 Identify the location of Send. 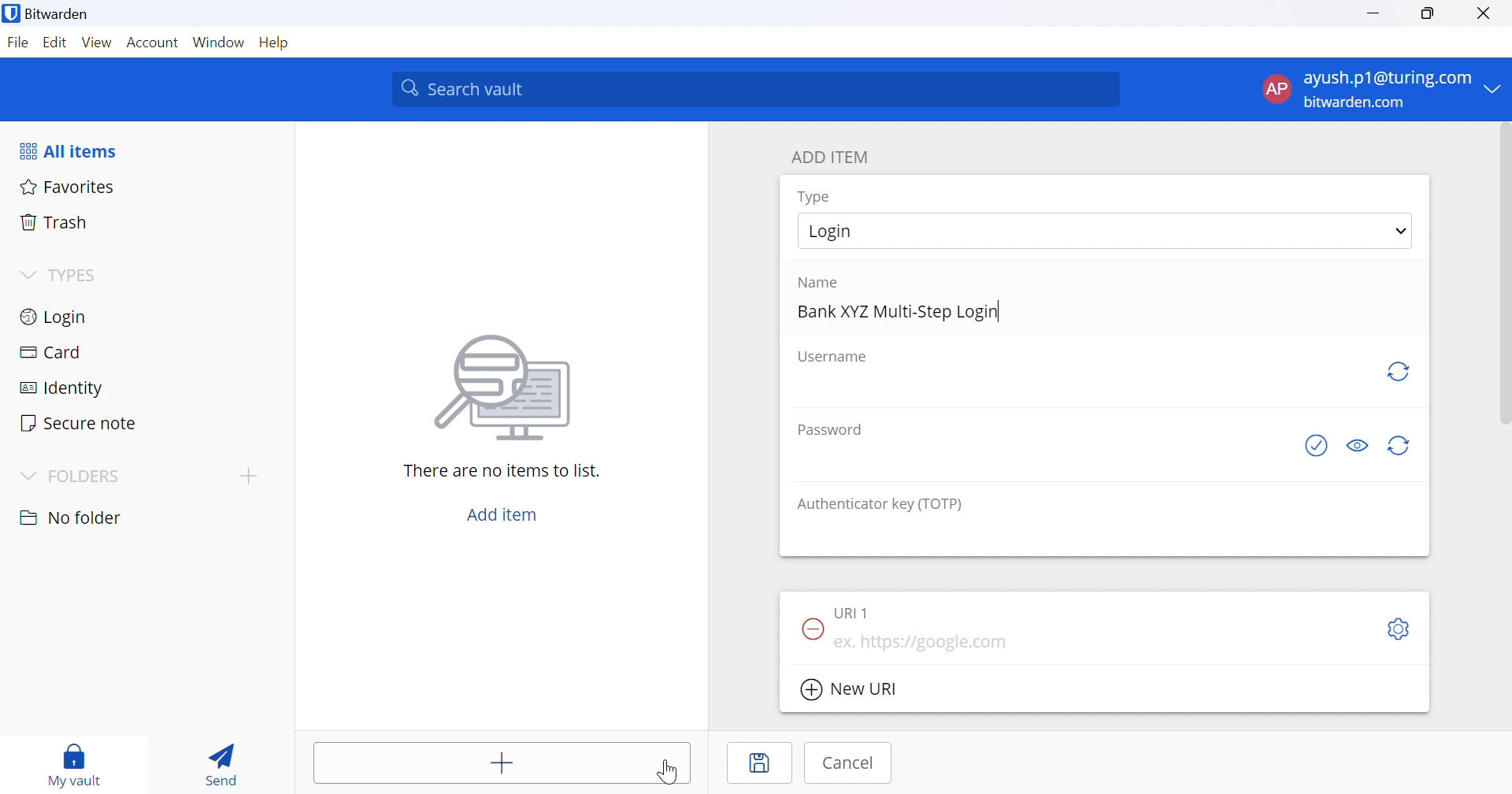
(224, 760).